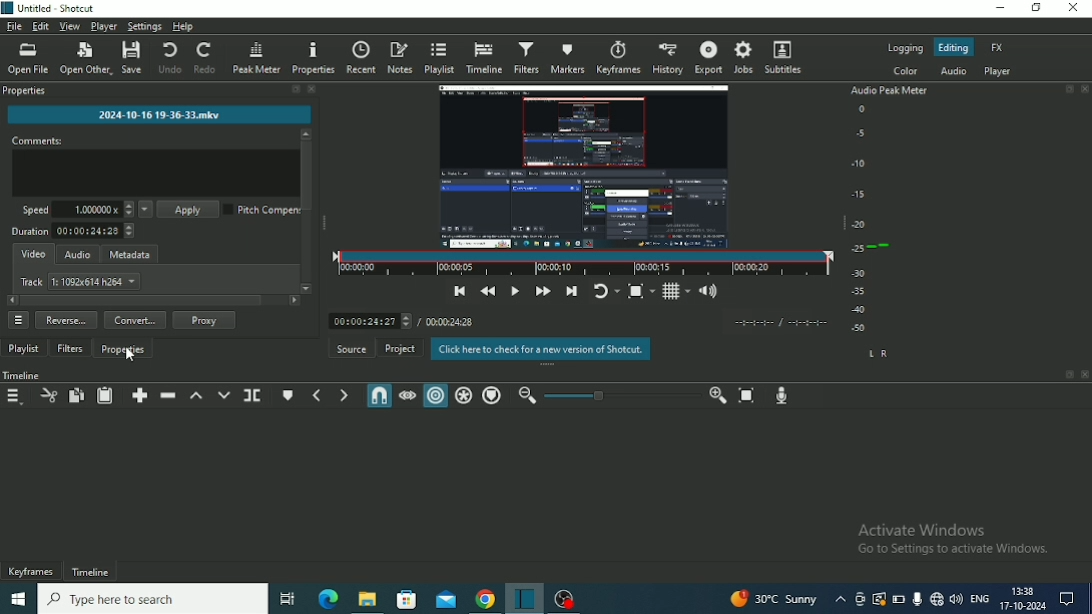 This screenshot has height=614, width=1092. What do you see at coordinates (525, 55) in the screenshot?
I see `Filters` at bounding box center [525, 55].